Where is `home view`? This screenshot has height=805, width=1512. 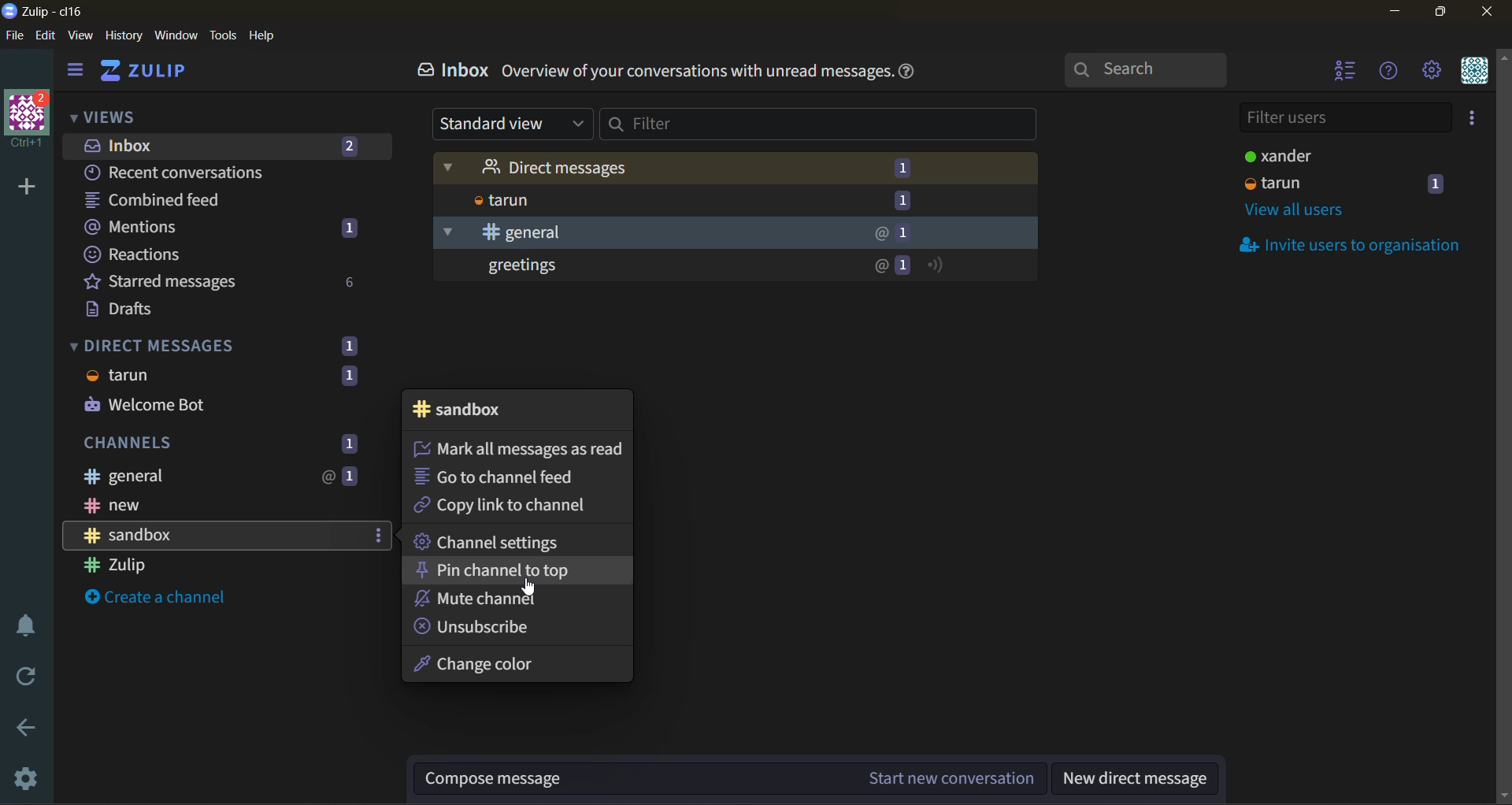 home view is located at coordinates (146, 73).